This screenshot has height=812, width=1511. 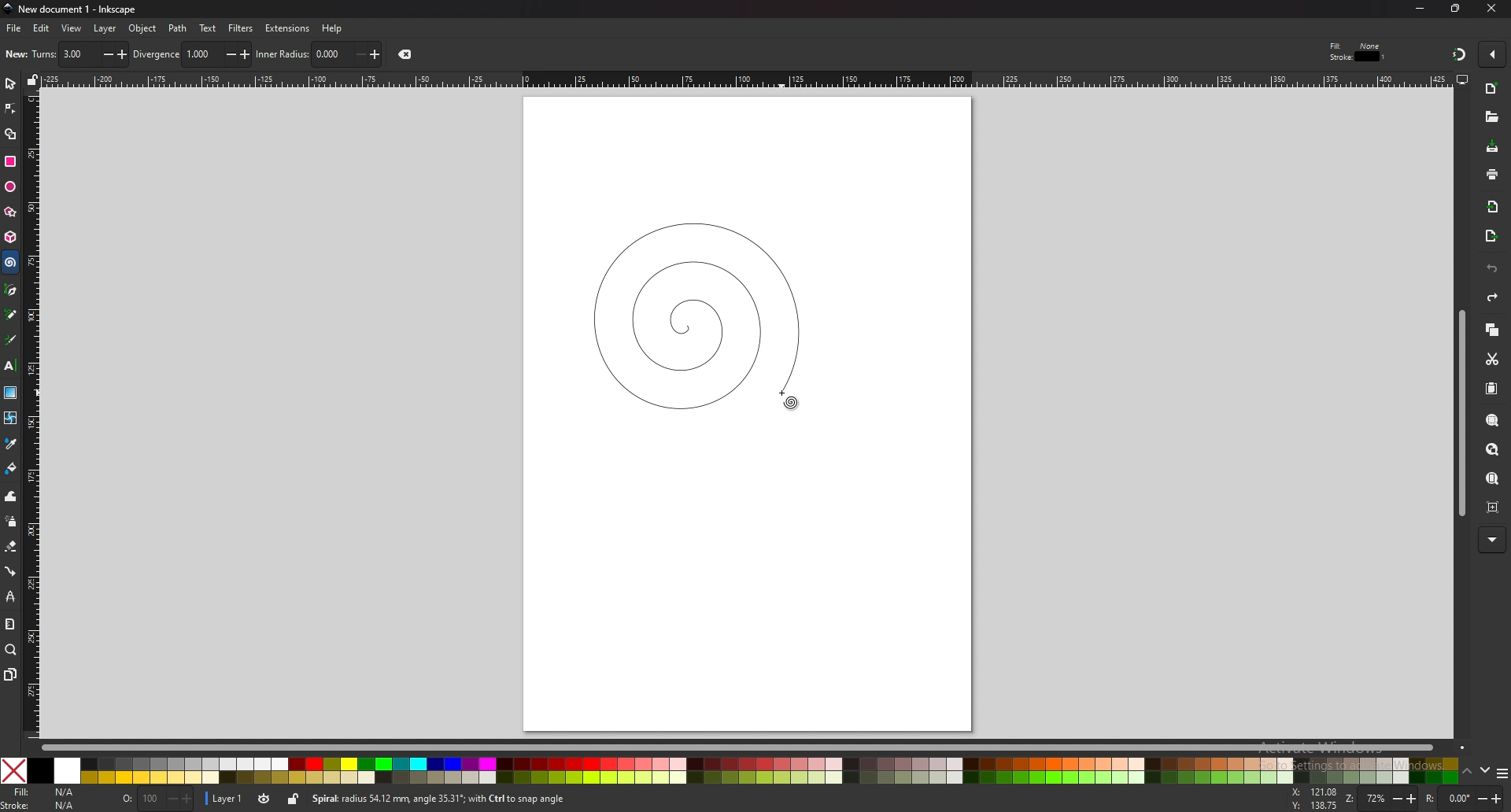 I want to click on tweak, so click(x=10, y=497).